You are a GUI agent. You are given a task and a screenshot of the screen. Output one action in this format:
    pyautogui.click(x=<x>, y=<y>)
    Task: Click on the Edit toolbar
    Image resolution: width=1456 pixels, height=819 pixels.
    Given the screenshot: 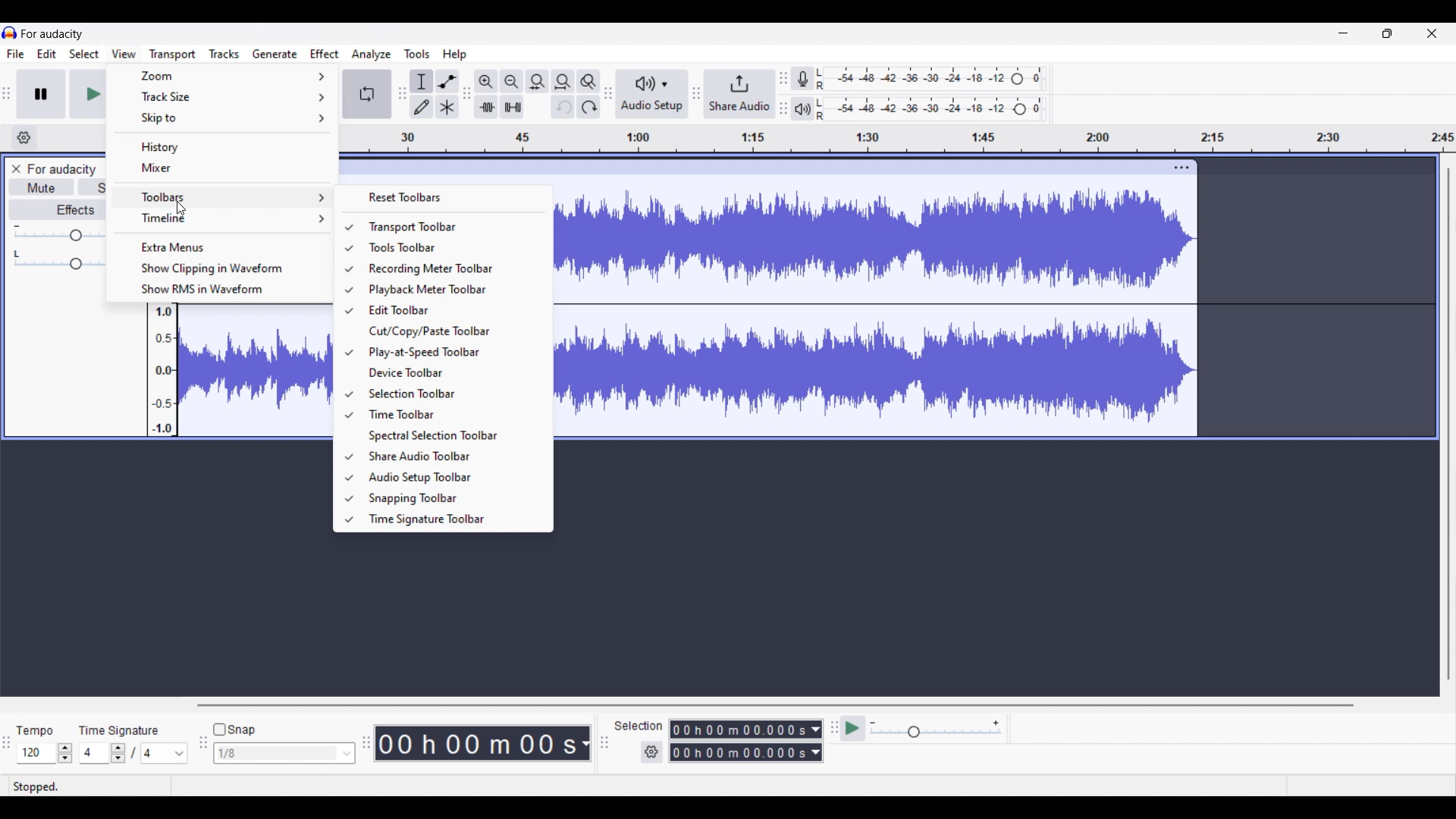 What is the action you would take?
    pyautogui.click(x=452, y=310)
    